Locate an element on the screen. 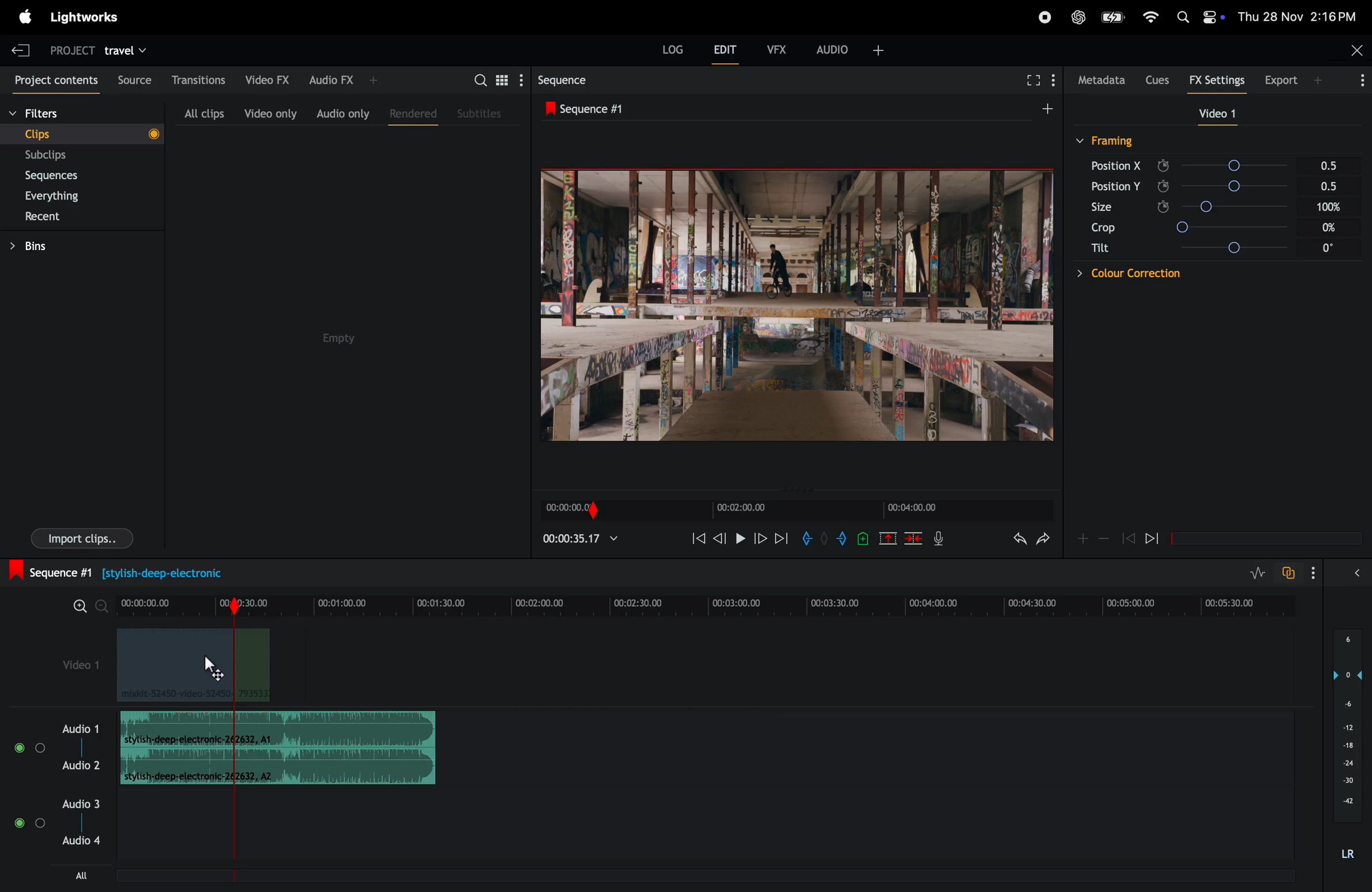 This screenshot has width=1372, height=892. apple menu is located at coordinates (22, 17).